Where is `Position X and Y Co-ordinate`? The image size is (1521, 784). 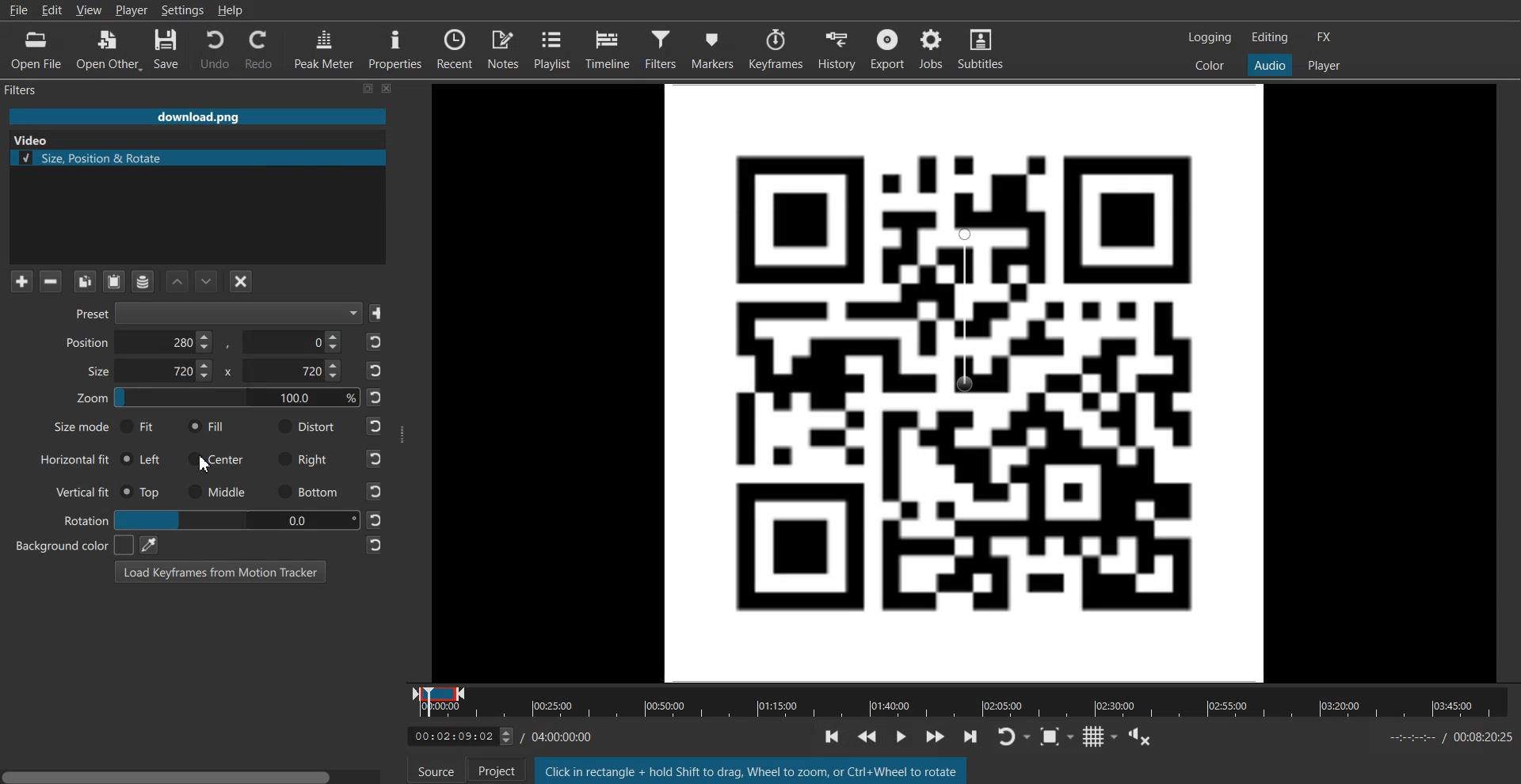 Position X and Y Co-ordinate is located at coordinates (203, 342).